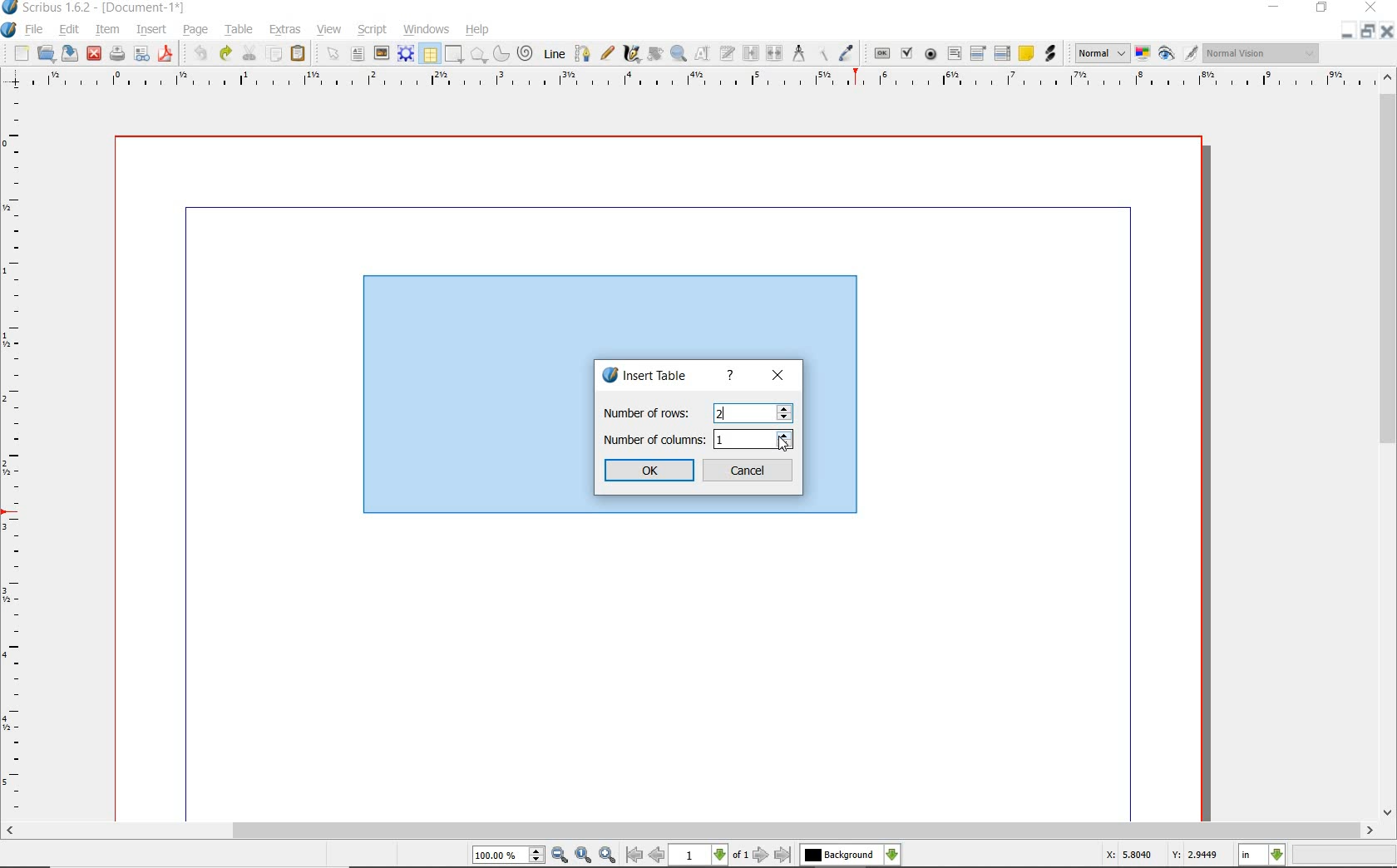 This screenshot has height=868, width=1397. I want to click on edit text with story editor, so click(728, 52).